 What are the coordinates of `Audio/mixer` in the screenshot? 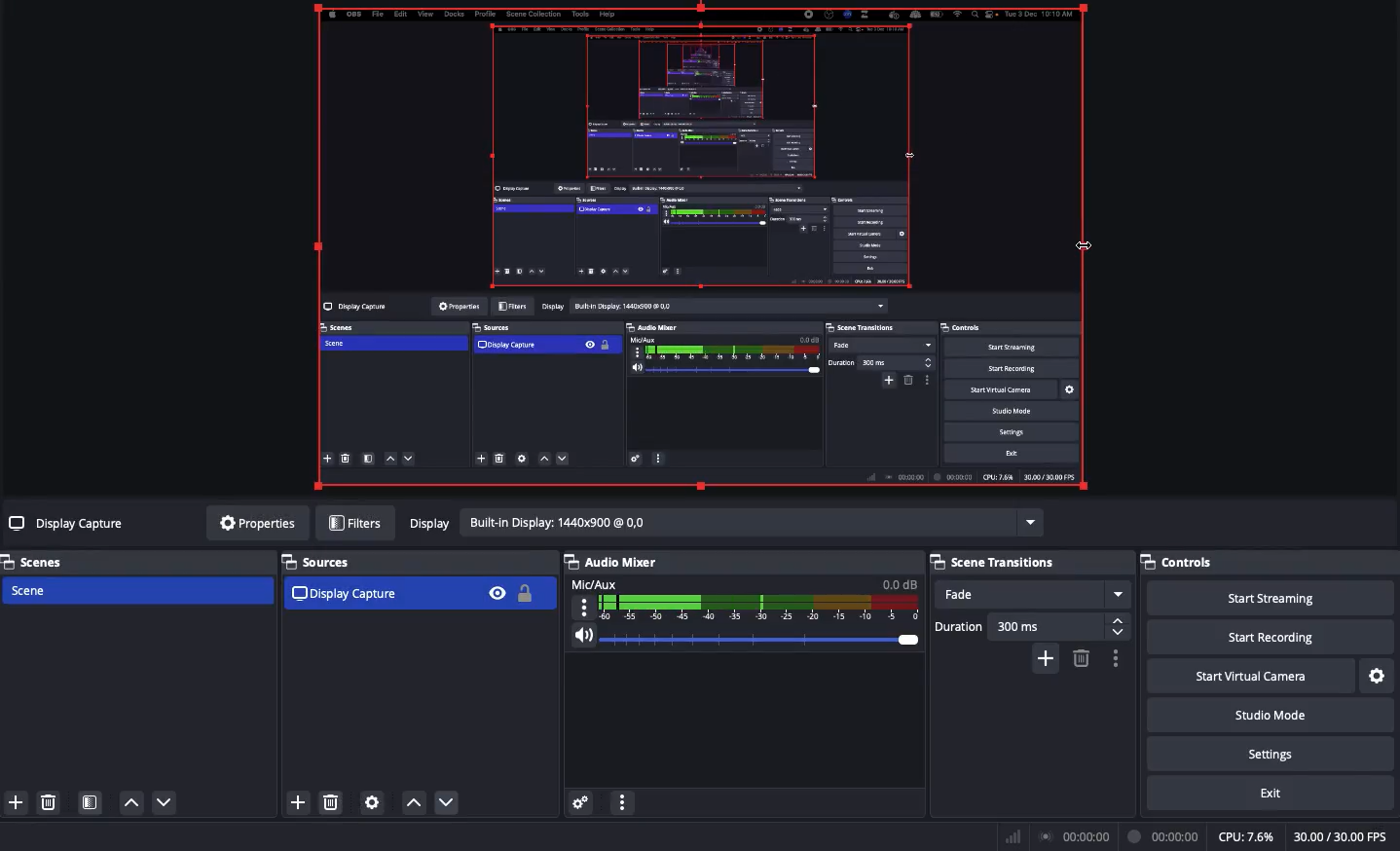 It's located at (736, 559).